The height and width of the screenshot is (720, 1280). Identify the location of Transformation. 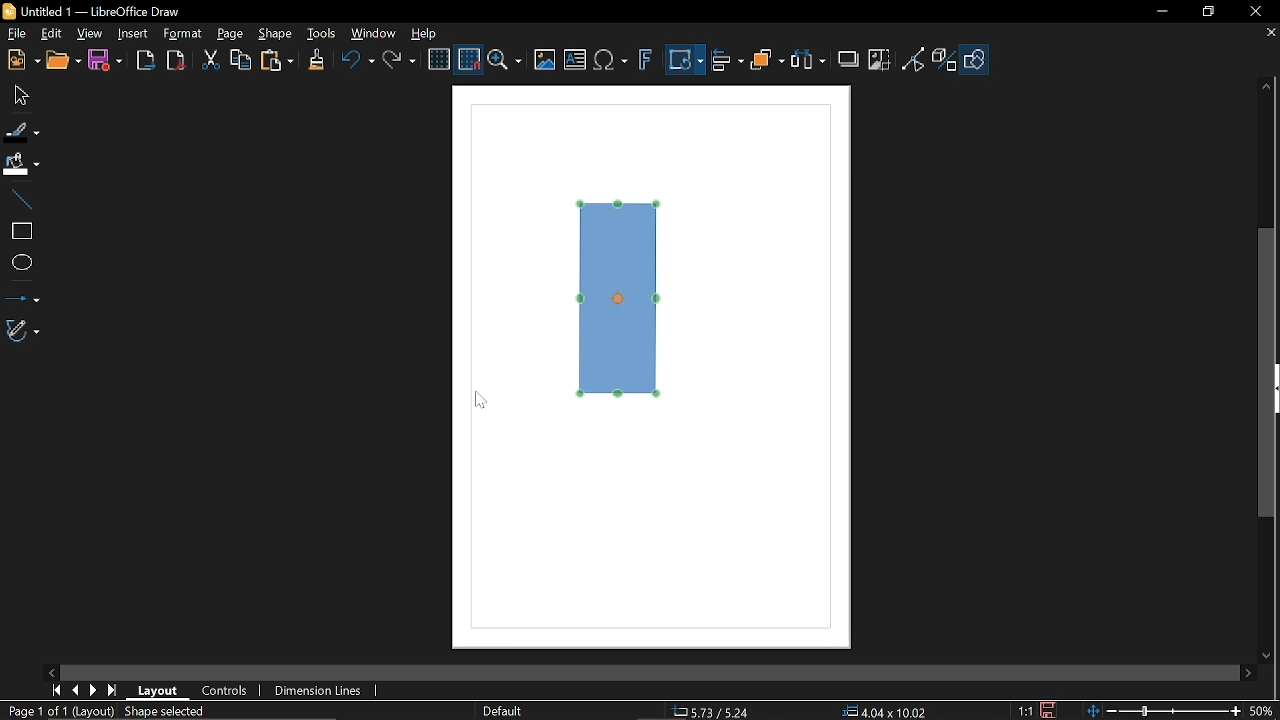
(685, 62).